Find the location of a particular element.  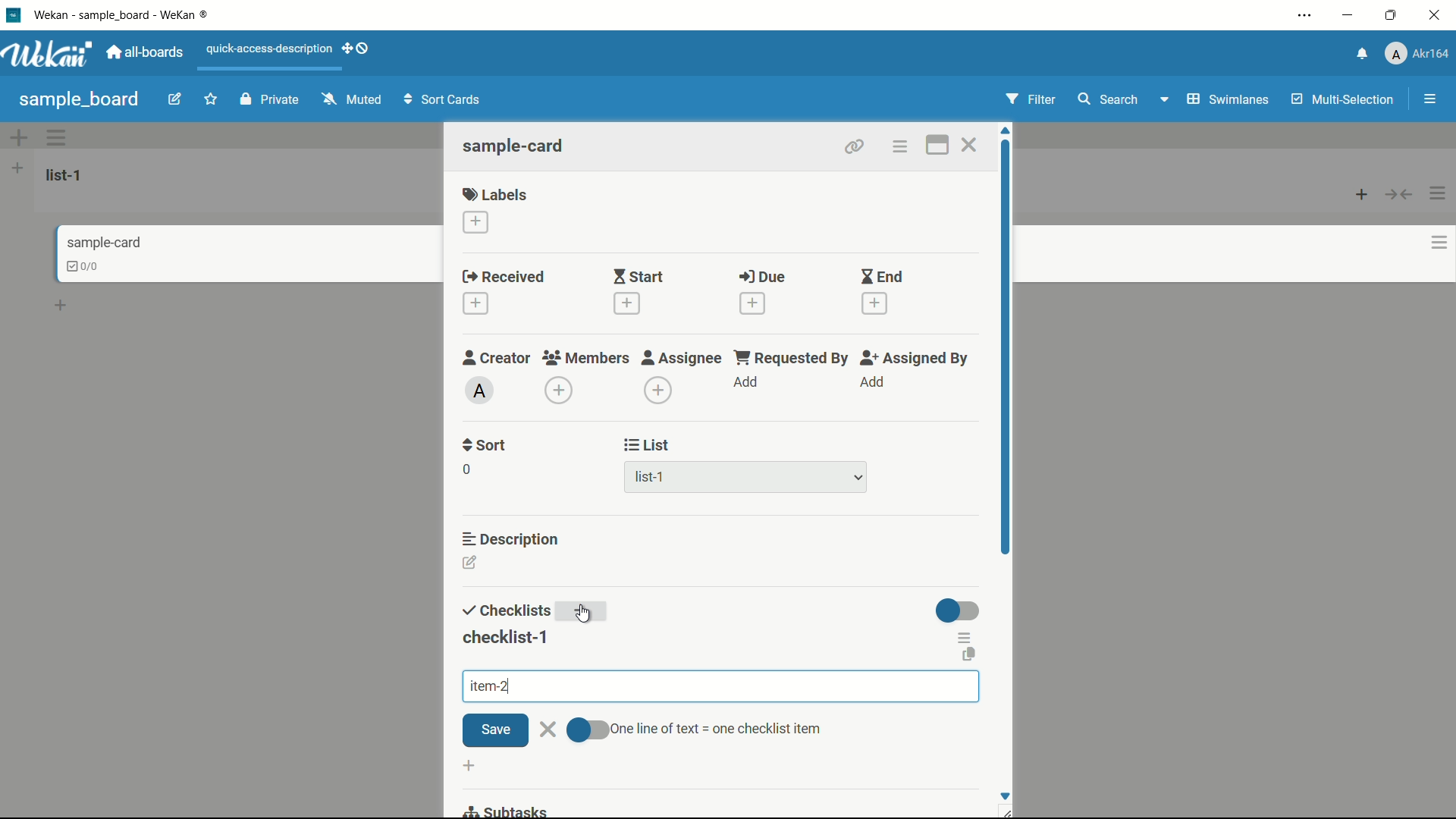

list-1 is located at coordinates (67, 174).